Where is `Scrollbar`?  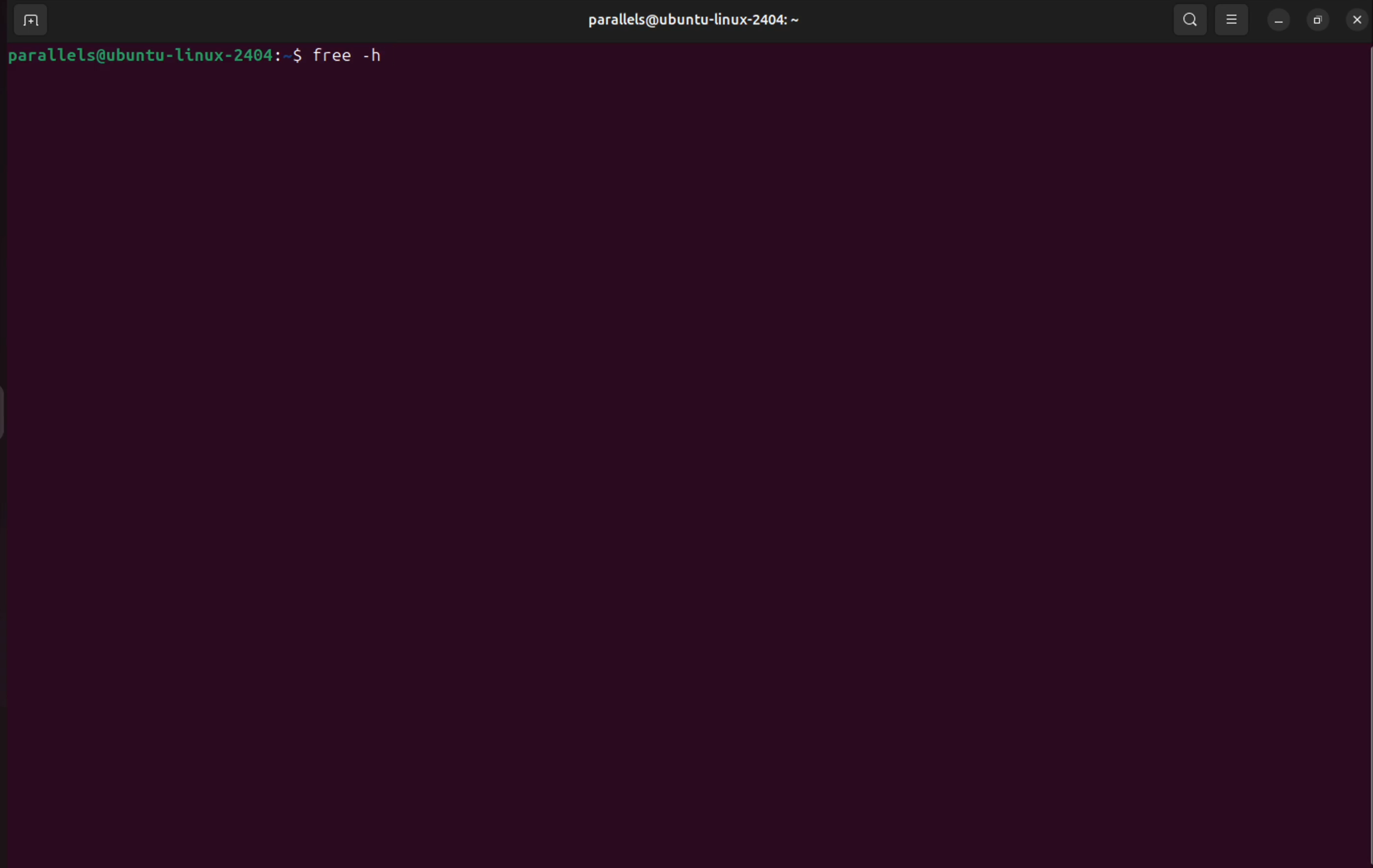
Scrollbar is located at coordinates (1363, 445).